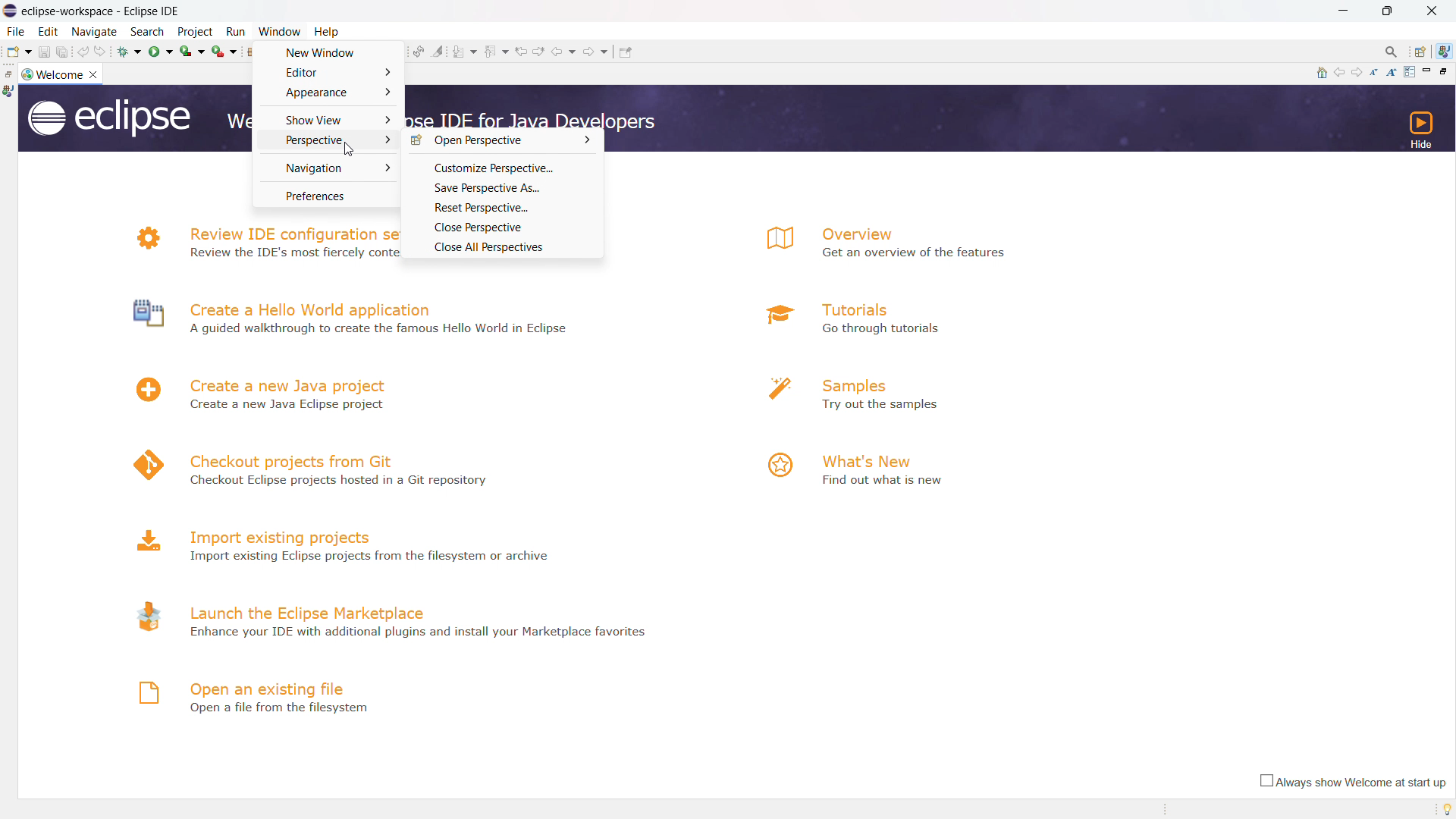 This screenshot has height=819, width=1456. I want to click on Get an overview of the features, so click(922, 256).